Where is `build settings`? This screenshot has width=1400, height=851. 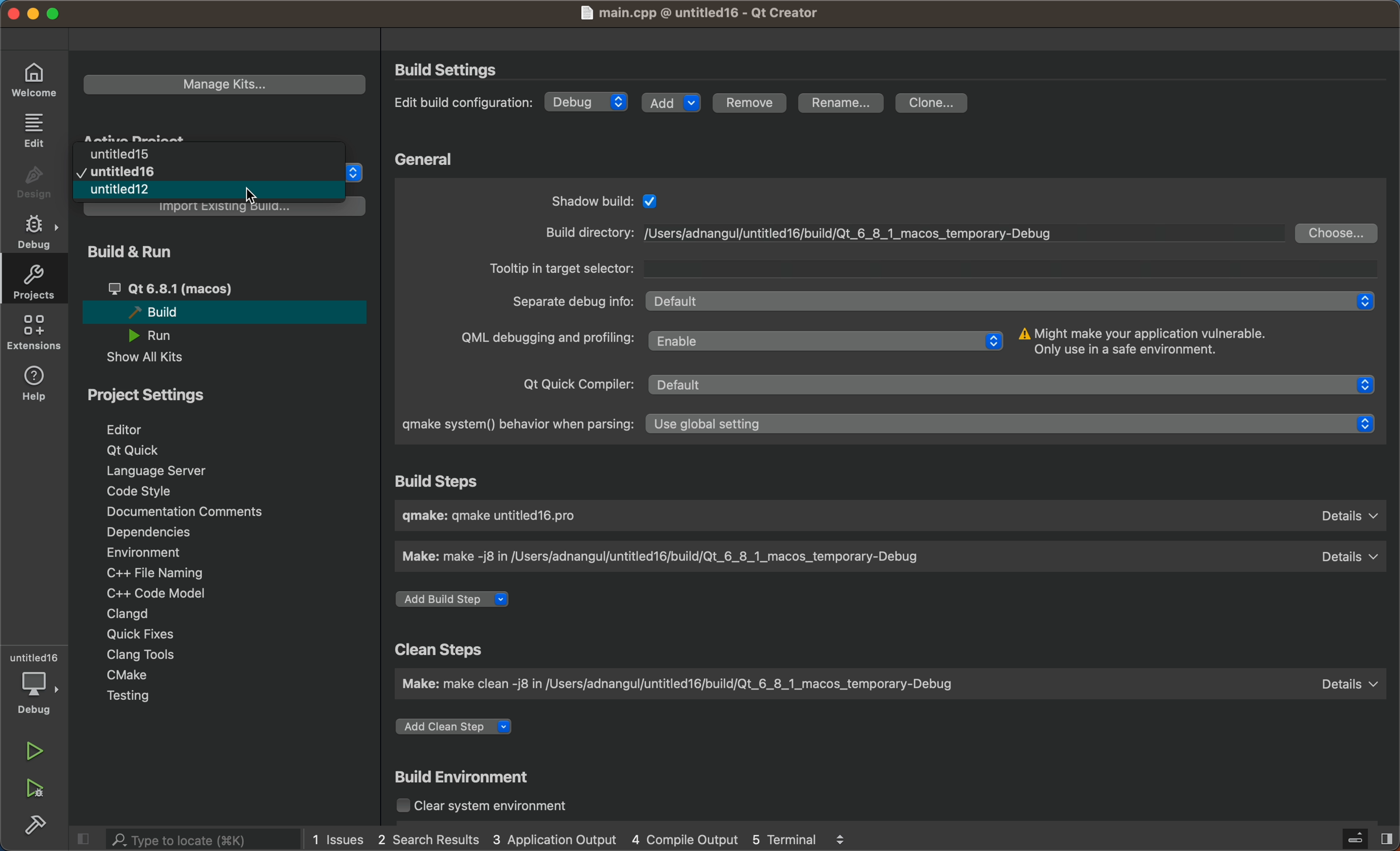 build settings is located at coordinates (454, 68).